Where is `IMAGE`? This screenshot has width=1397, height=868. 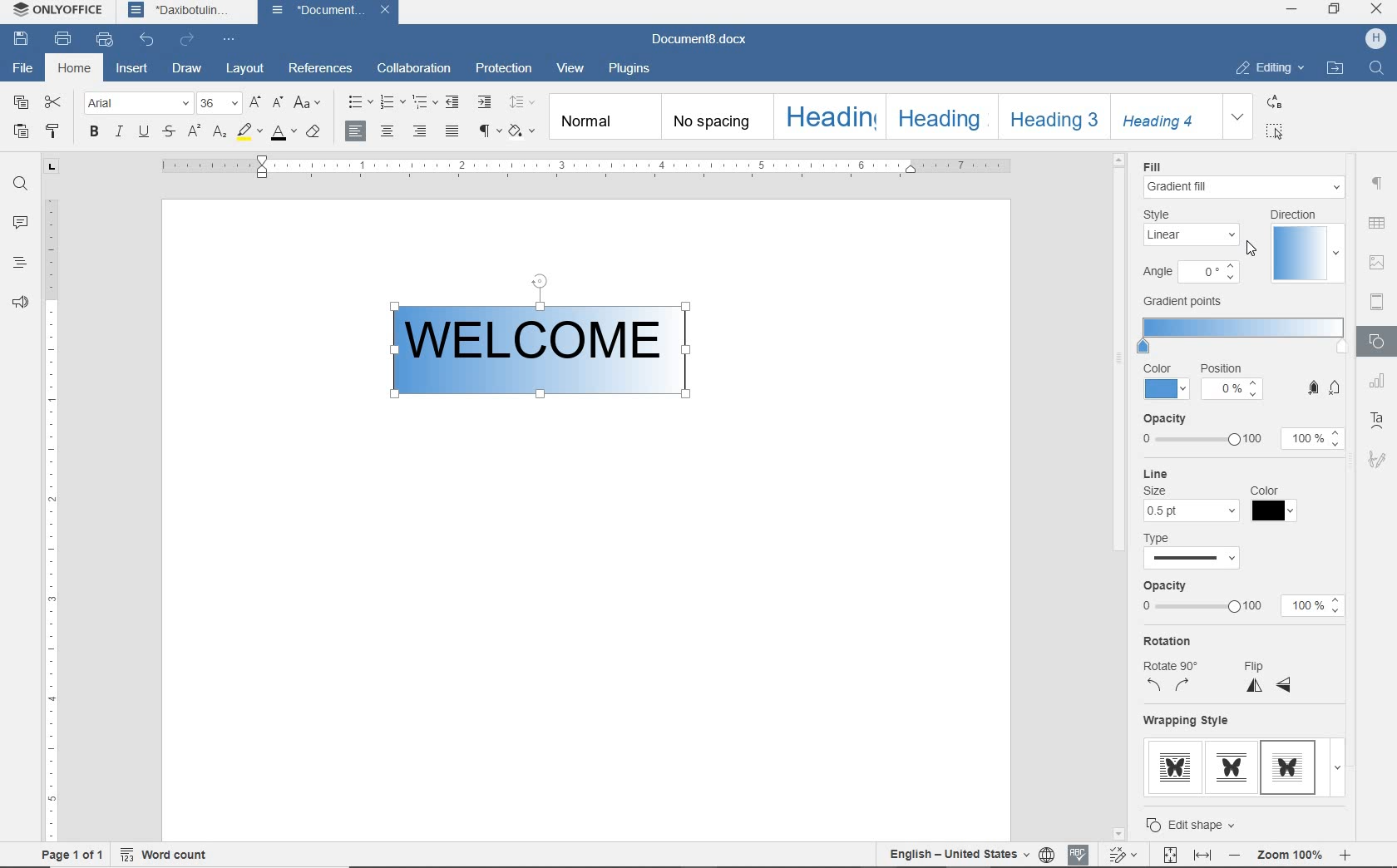 IMAGE is located at coordinates (1378, 262).